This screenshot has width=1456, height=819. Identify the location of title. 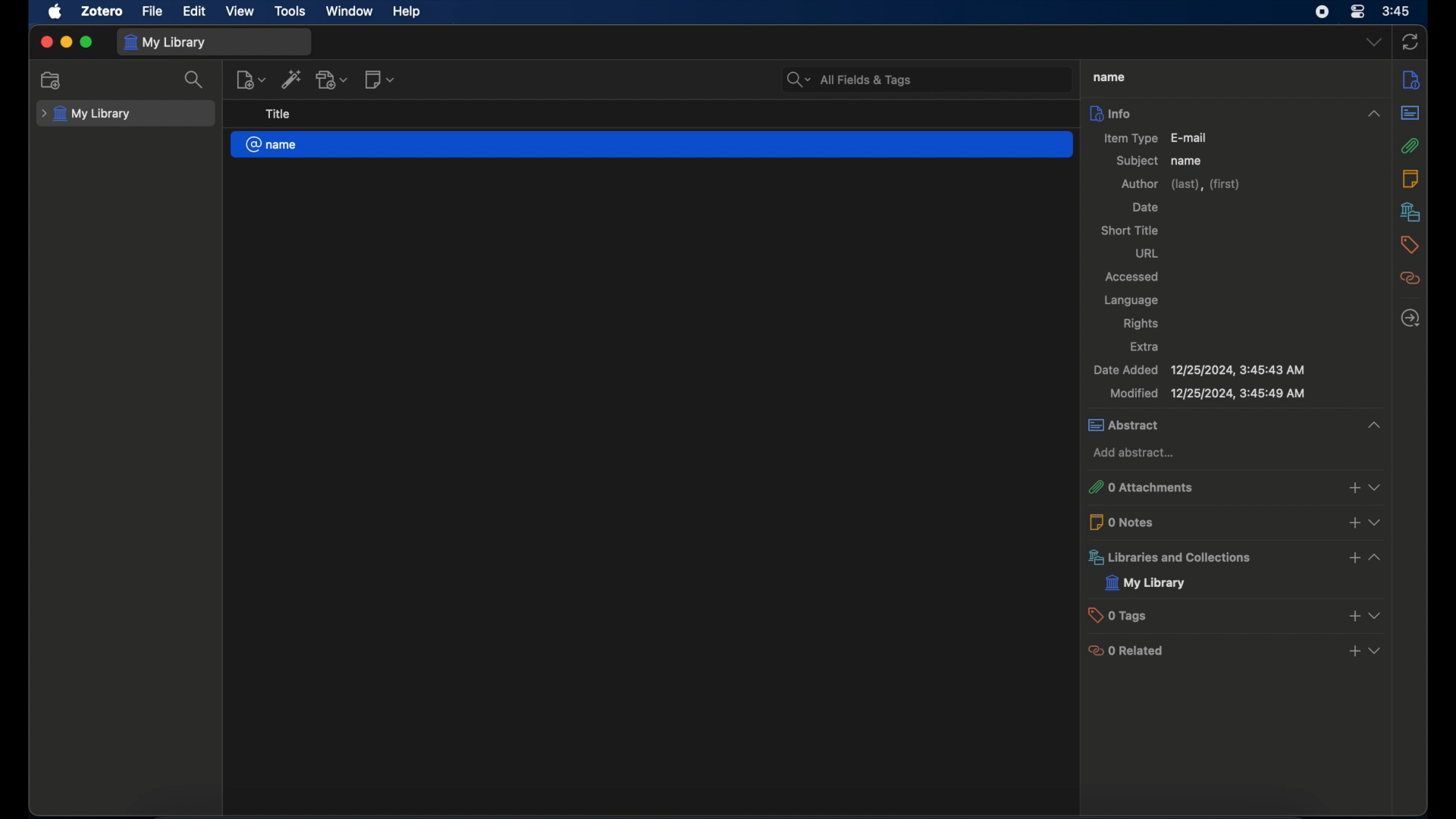
(278, 115).